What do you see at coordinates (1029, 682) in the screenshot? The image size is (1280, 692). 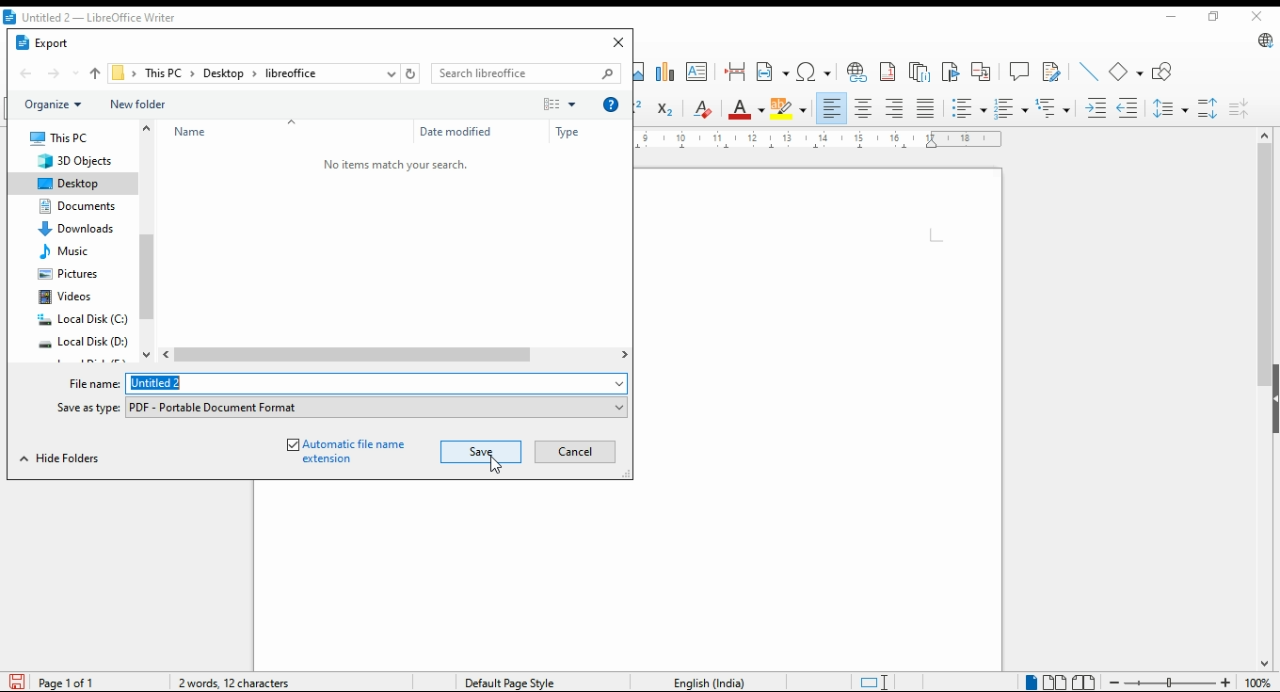 I see `singlepage view` at bounding box center [1029, 682].